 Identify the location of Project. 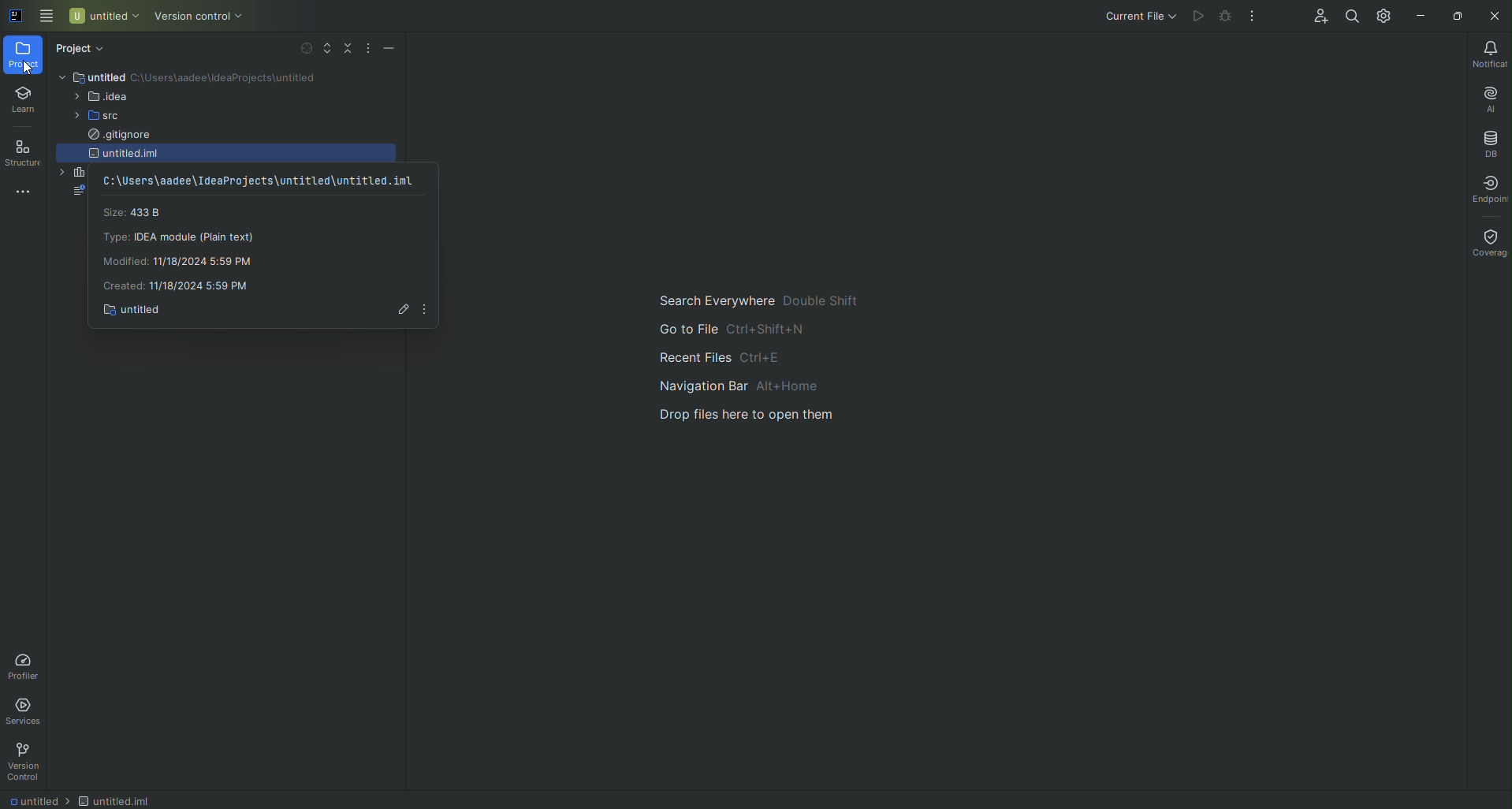
(25, 52).